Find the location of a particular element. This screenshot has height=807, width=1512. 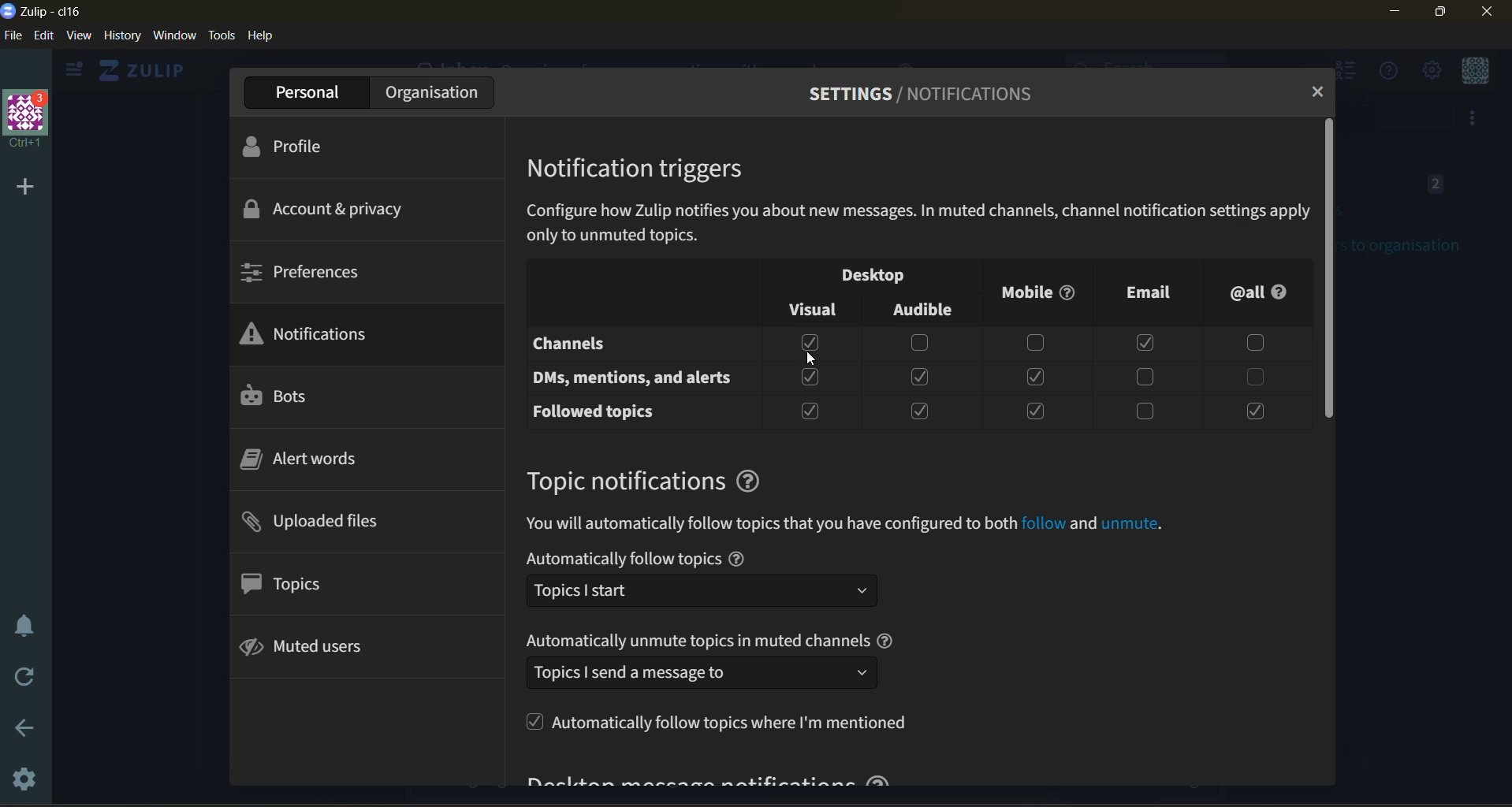

channels is located at coordinates (613, 345).